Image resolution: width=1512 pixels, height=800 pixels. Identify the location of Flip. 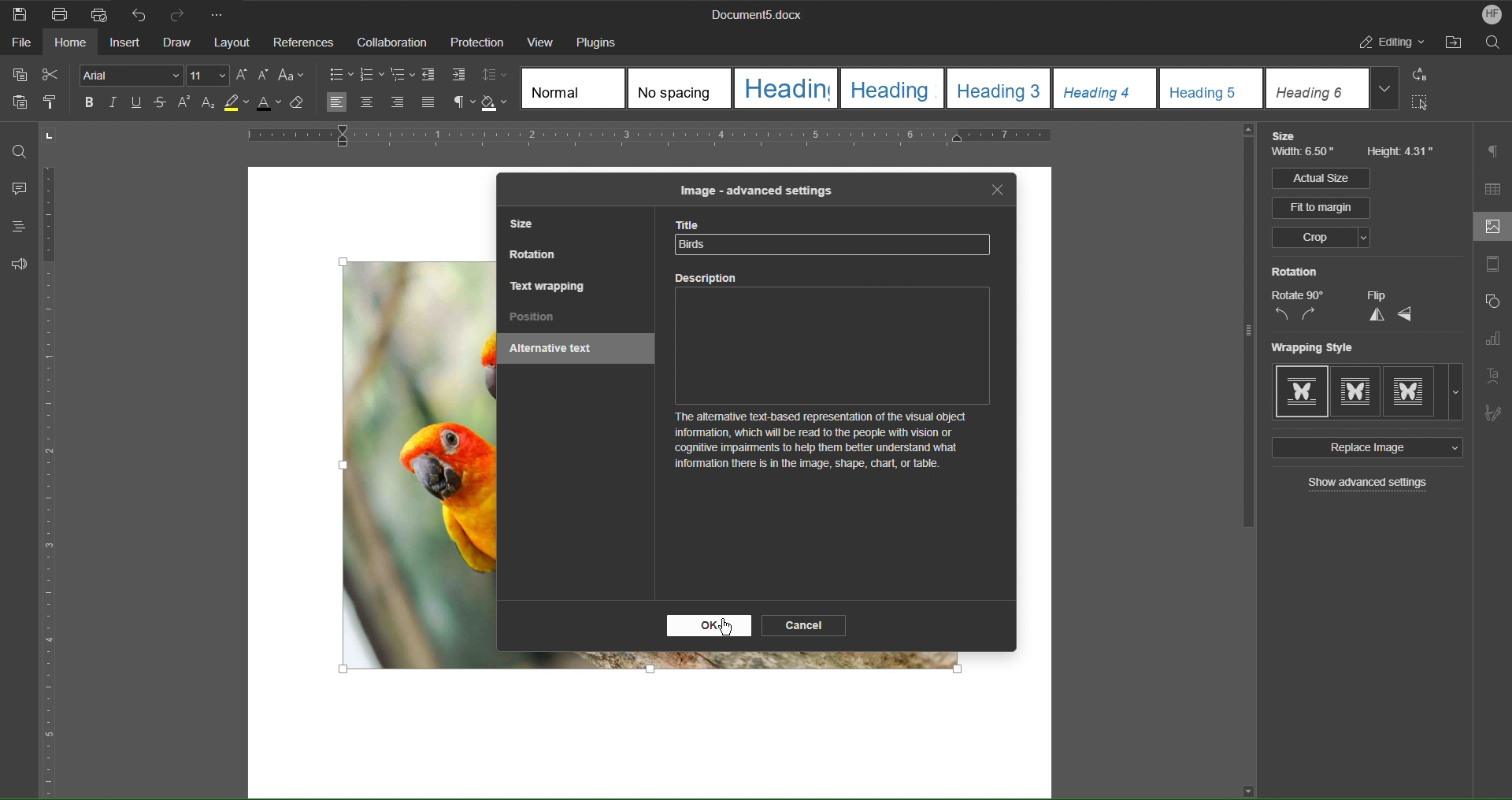
(1376, 295).